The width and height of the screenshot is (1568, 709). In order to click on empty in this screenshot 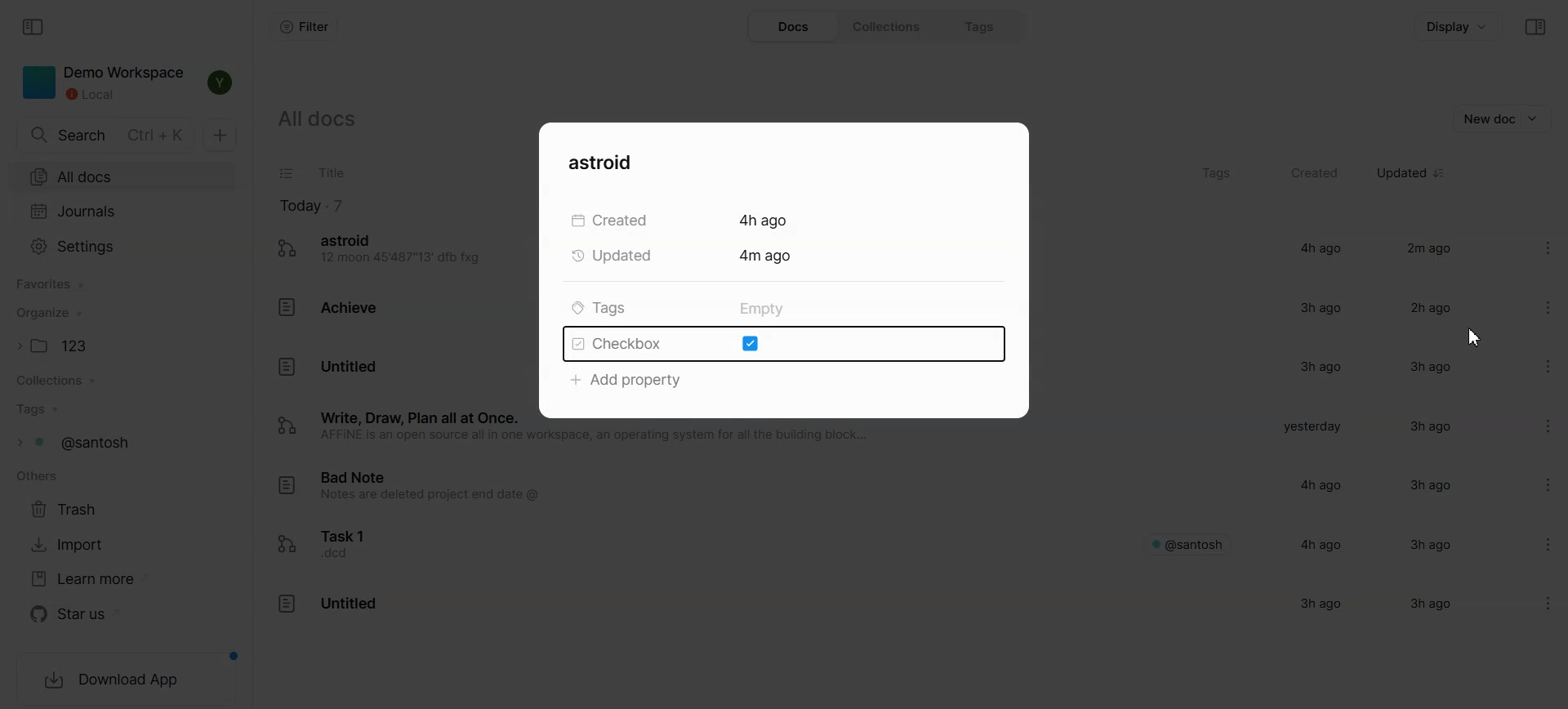, I will do `click(760, 310)`.